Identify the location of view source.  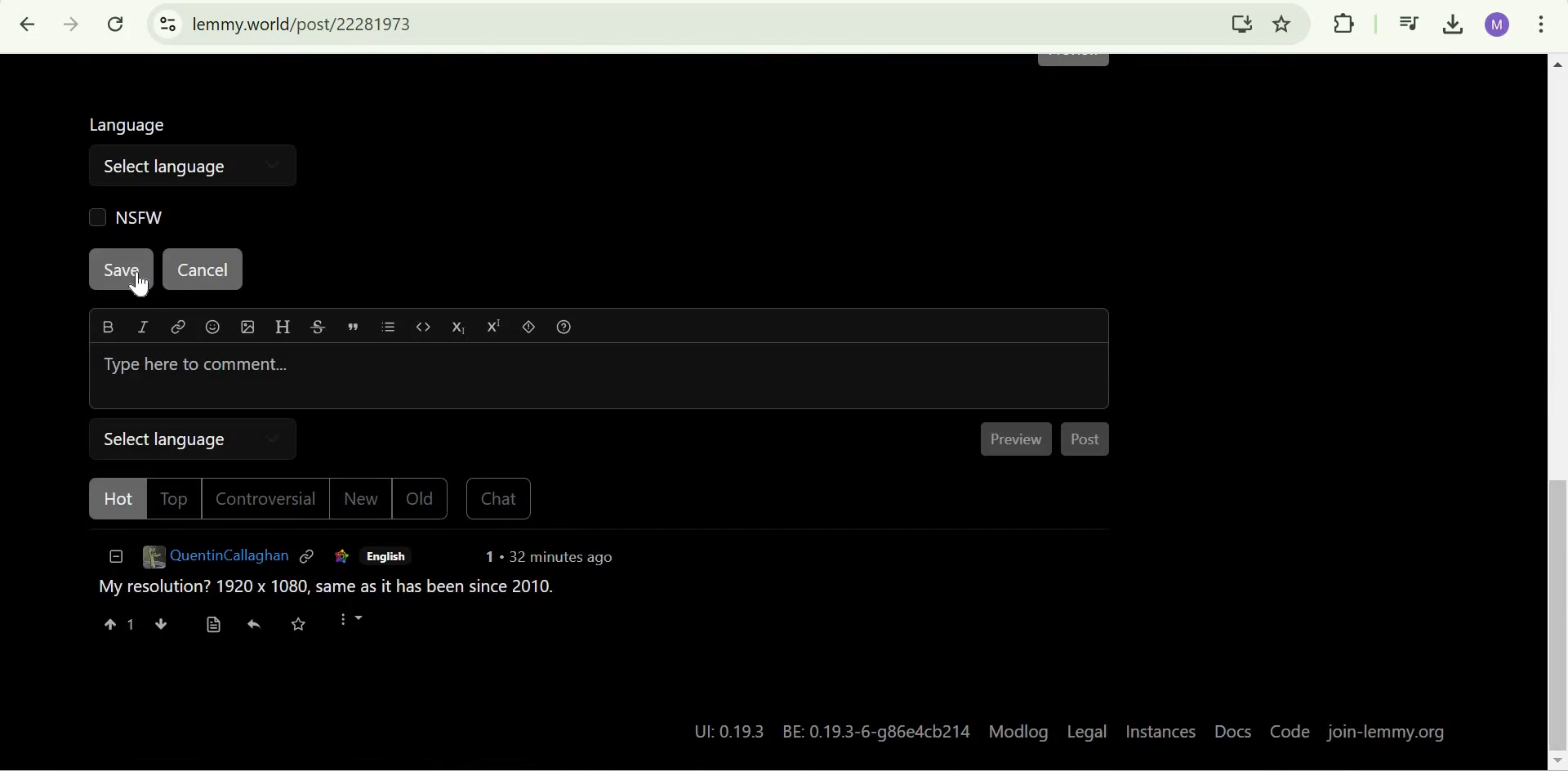
(213, 626).